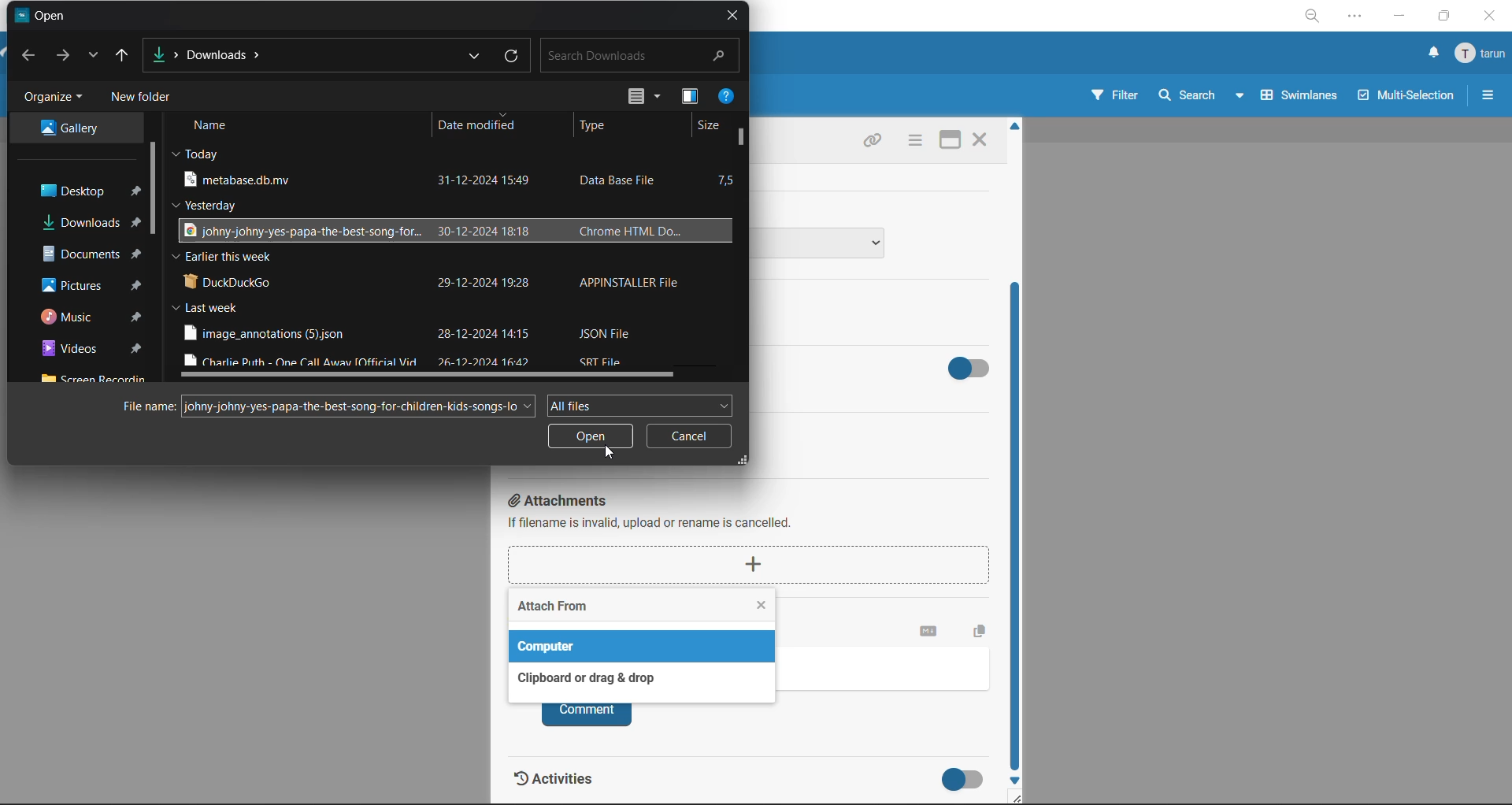  Describe the element at coordinates (1357, 19) in the screenshot. I see `settings` at that location.